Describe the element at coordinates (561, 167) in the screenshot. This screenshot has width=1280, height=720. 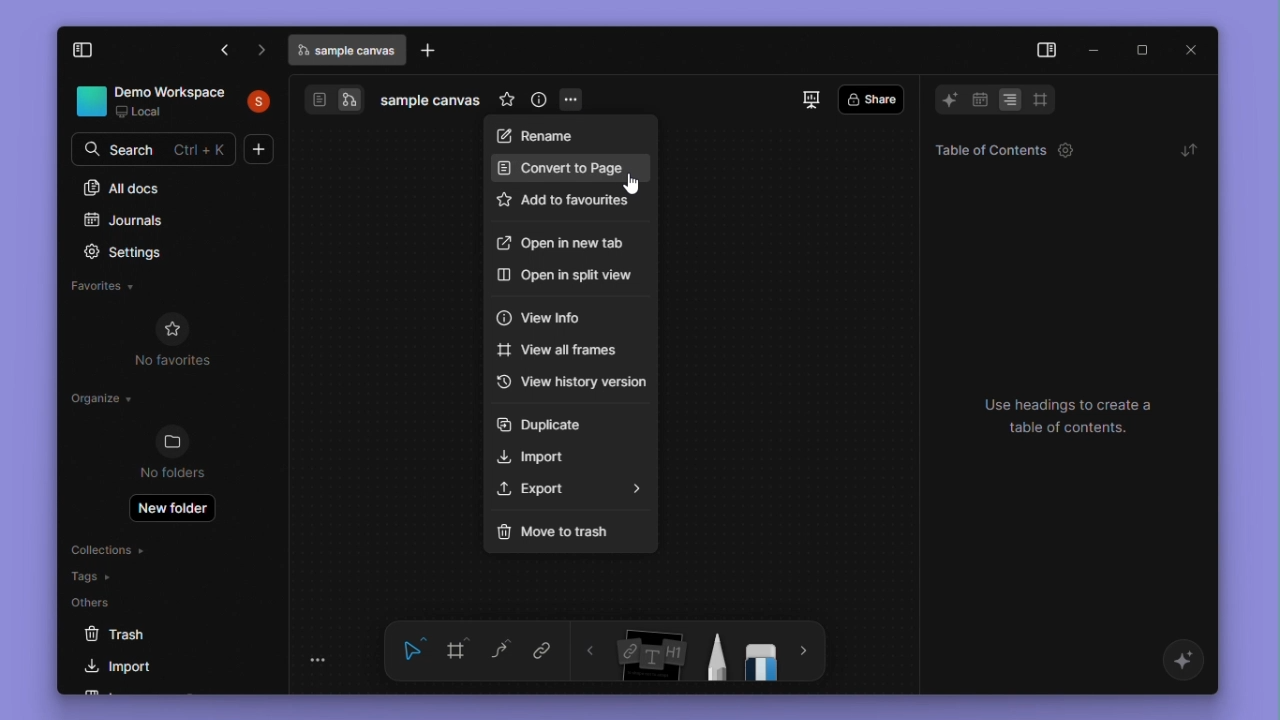
I see `Convert to page` at that location.